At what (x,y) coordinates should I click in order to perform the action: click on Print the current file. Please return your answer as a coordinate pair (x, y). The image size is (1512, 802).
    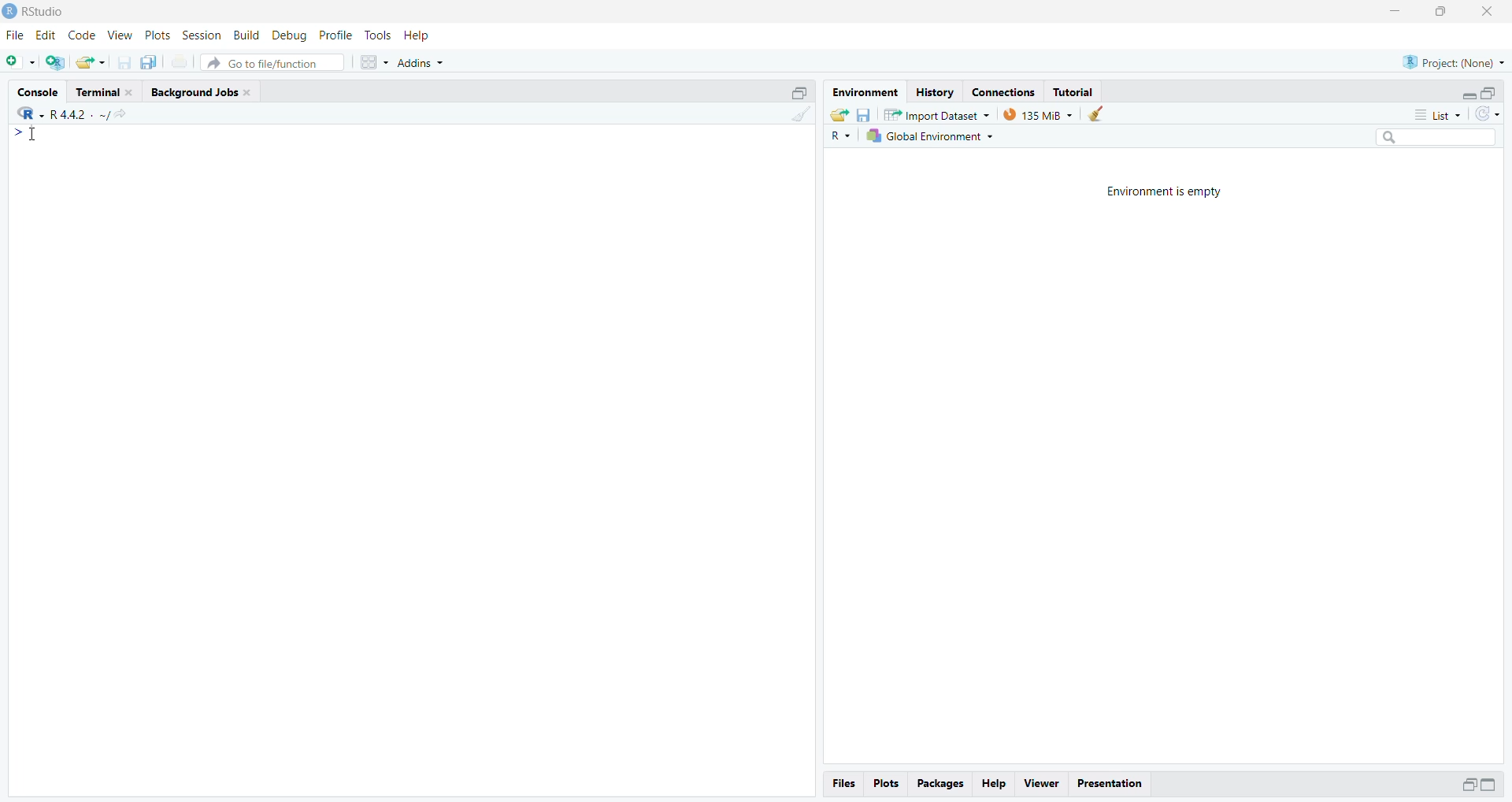
    Looking at the image, I should click on (180, 65).